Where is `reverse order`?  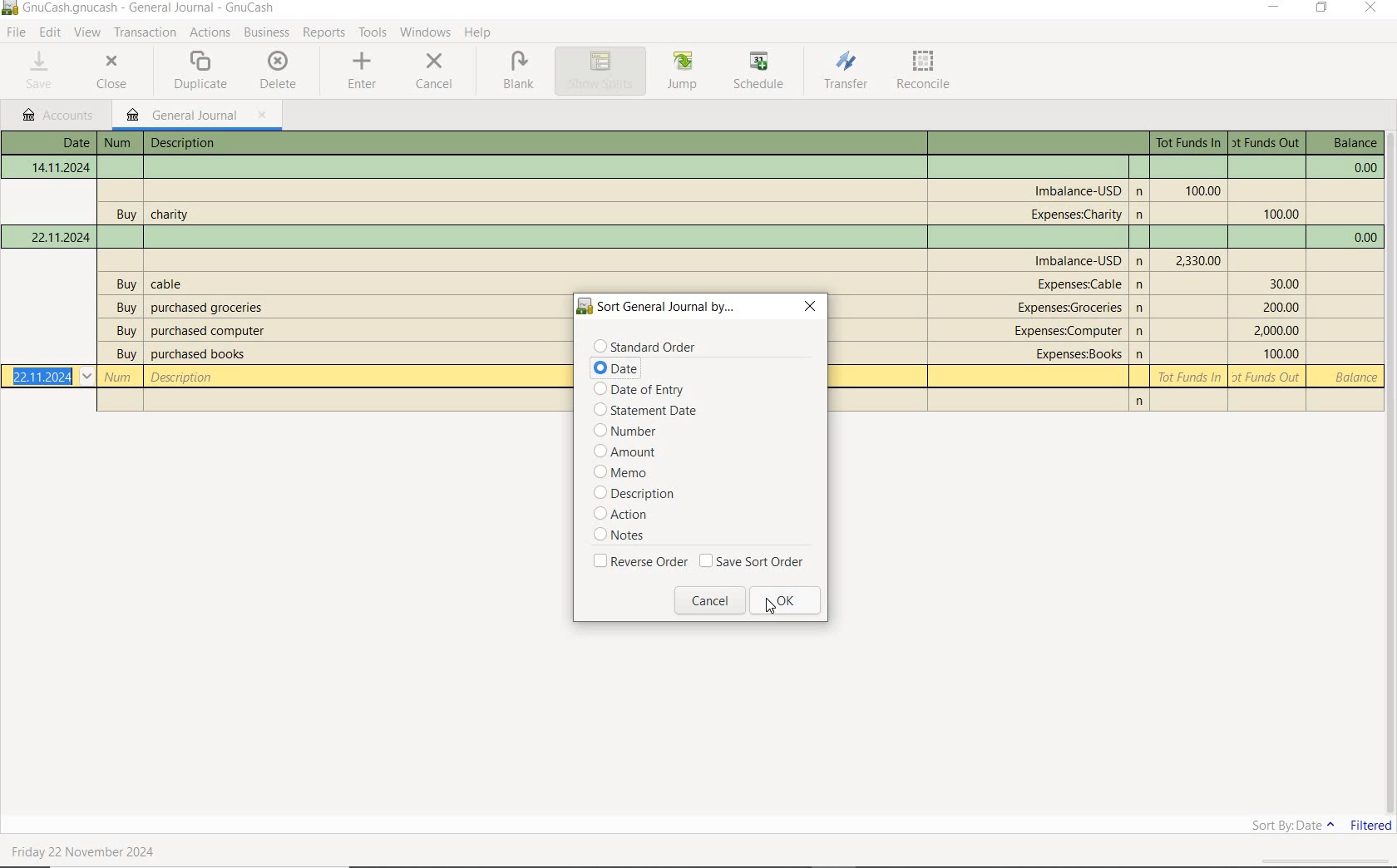
reverse order is located at coordinates (640, 563).